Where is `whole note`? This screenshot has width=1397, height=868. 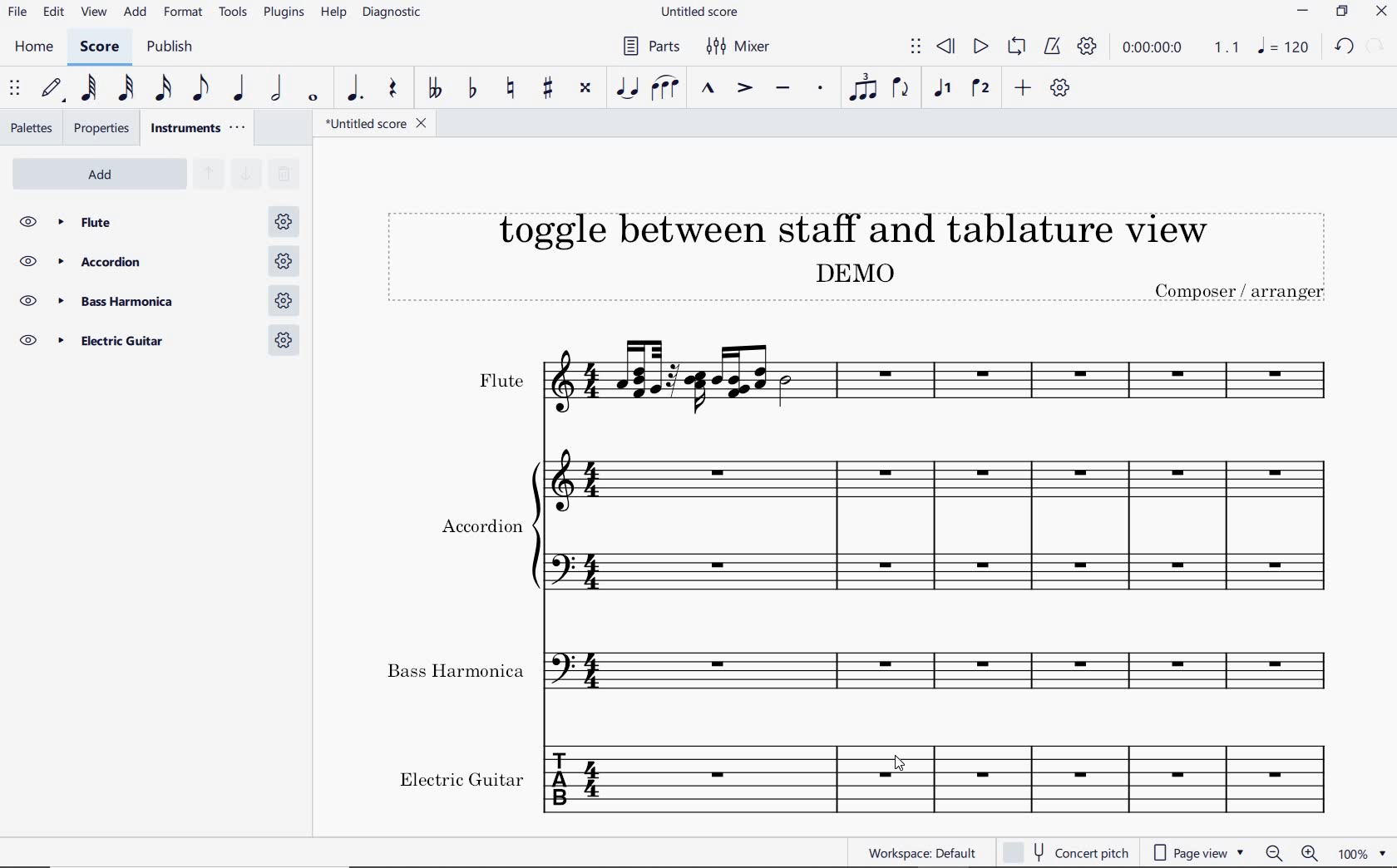
whole note is located at coordinates (313, 96).